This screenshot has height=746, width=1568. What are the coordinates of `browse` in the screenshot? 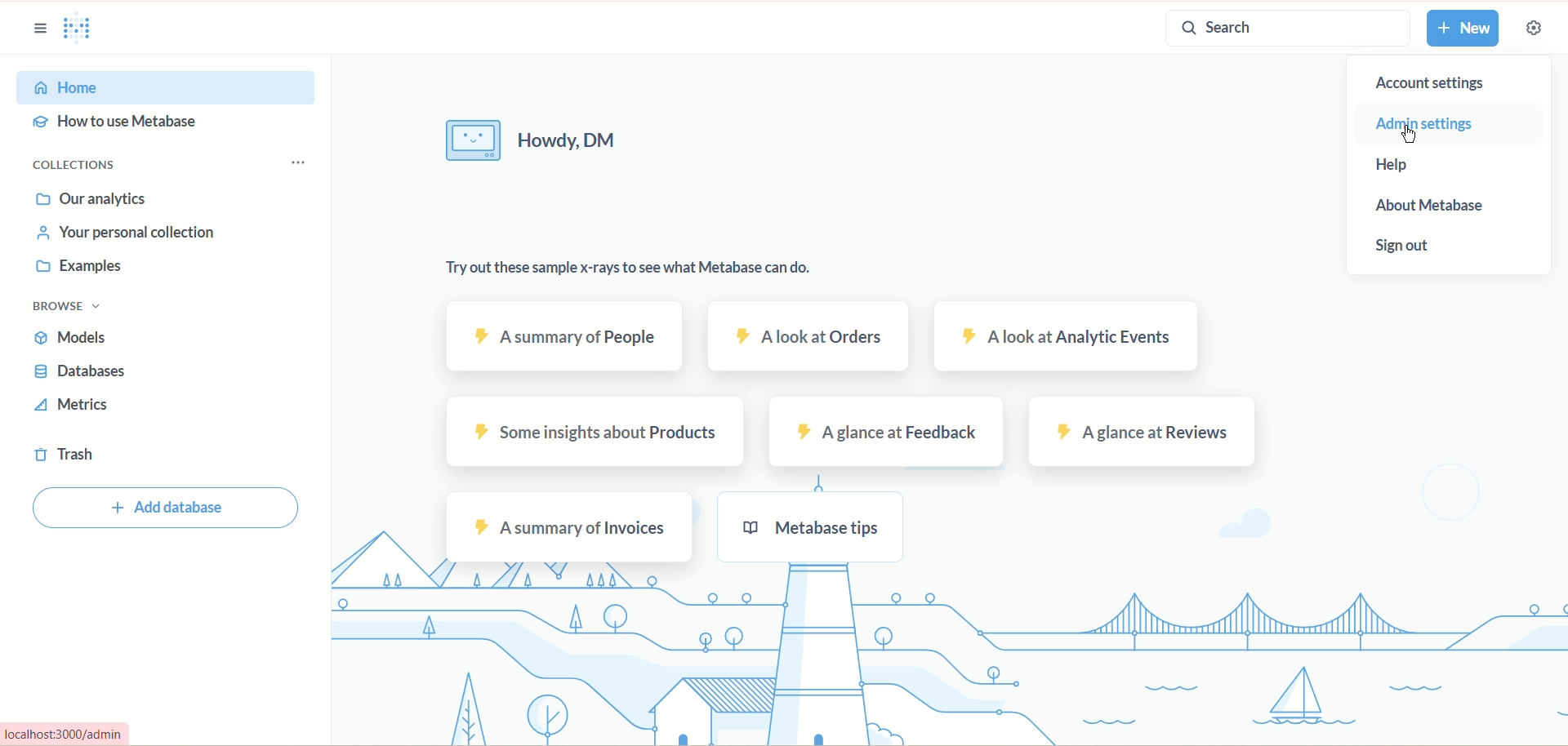 It's located at (69, 306).